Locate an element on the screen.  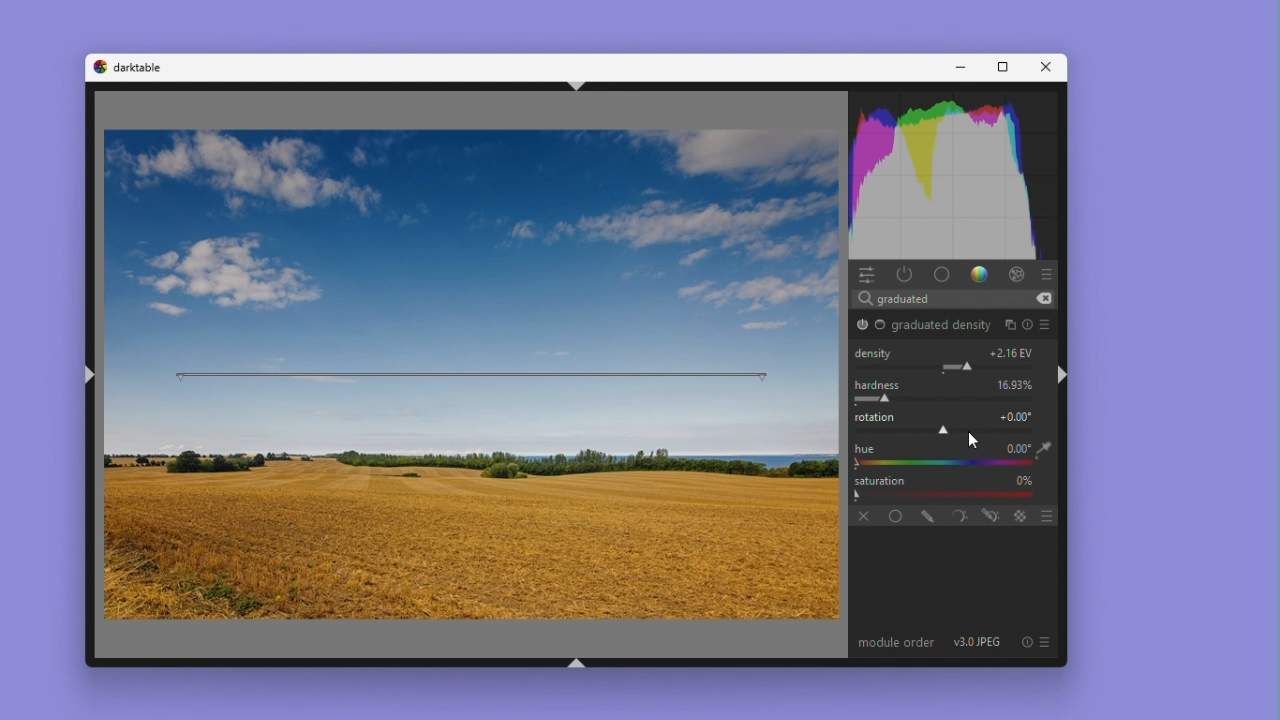
Saturation is located at coordinates (878, 481).